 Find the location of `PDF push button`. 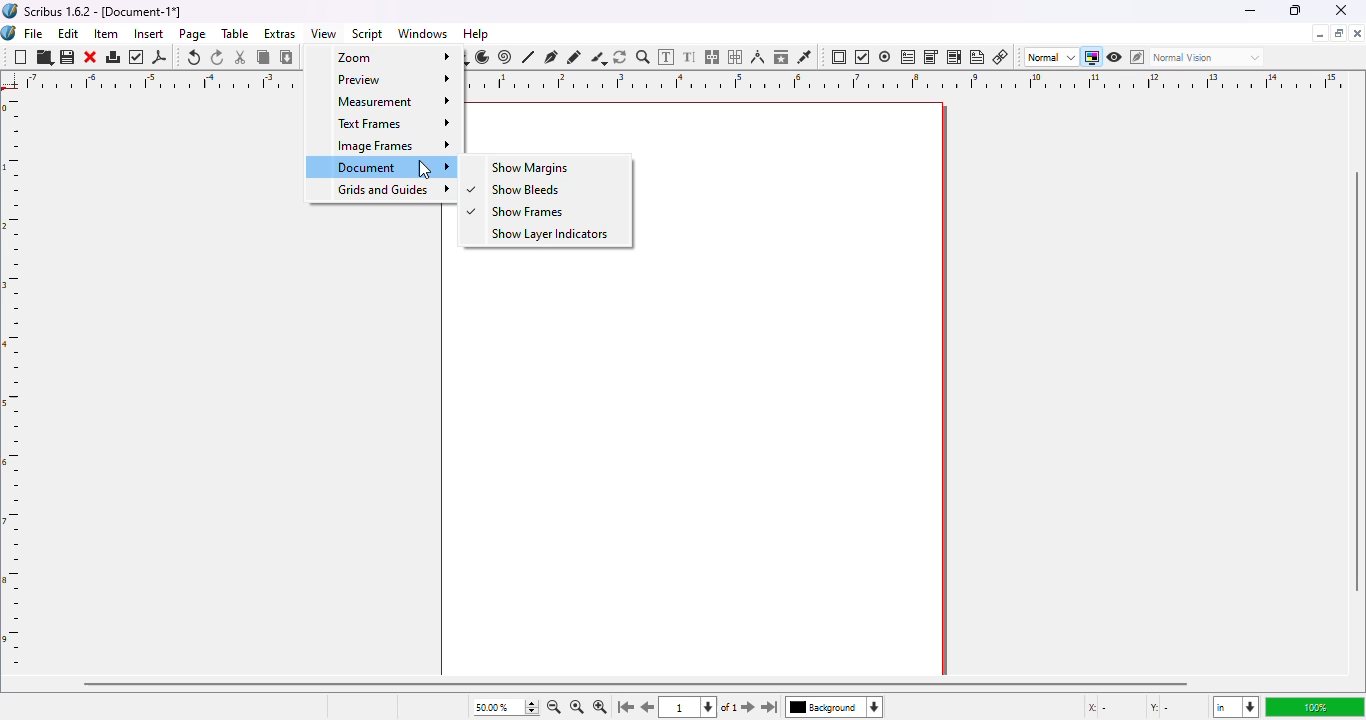

PDF push button is located at coordinates (839, 57).